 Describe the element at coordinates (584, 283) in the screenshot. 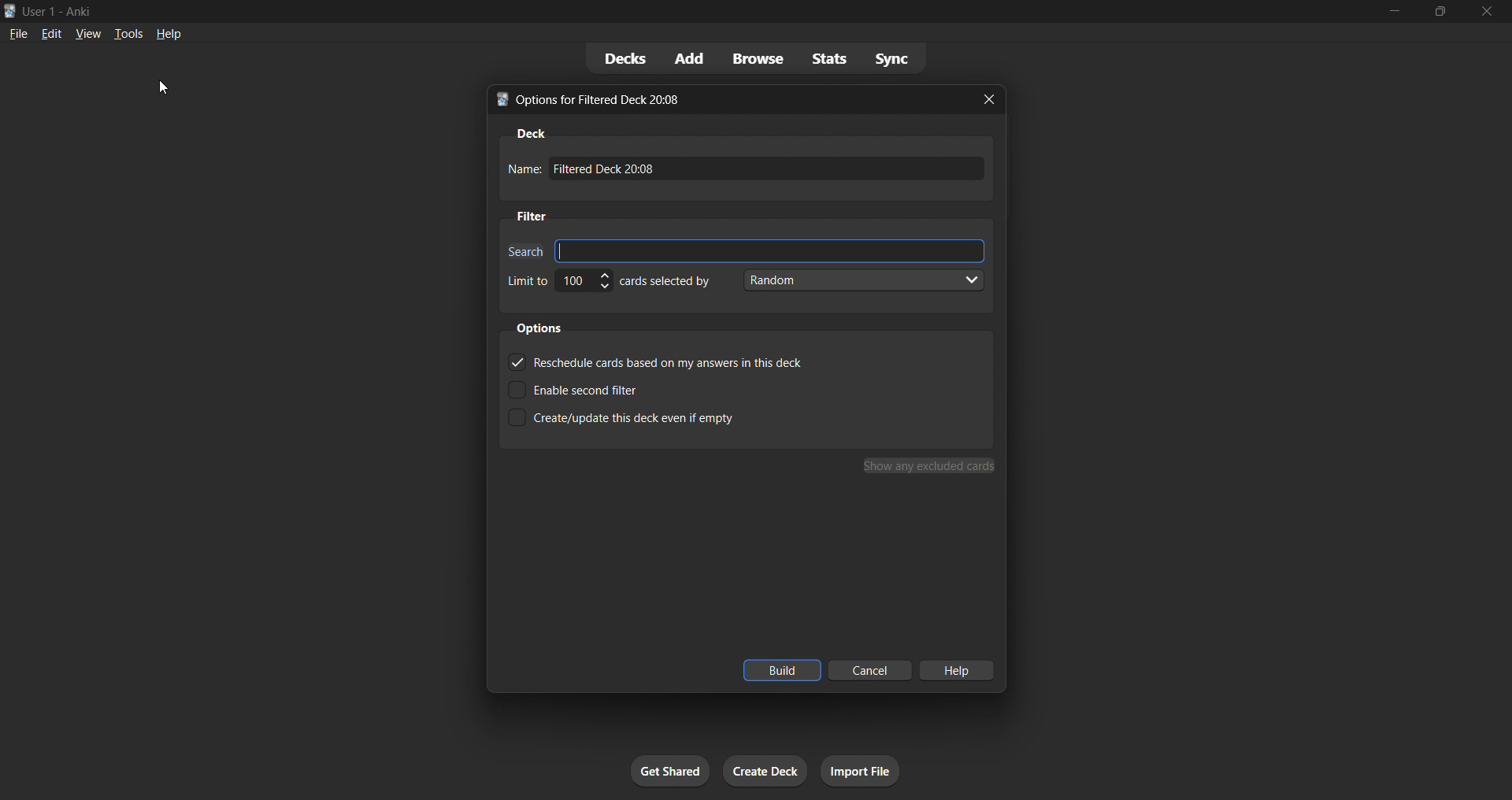

I see `card limit` at that location.